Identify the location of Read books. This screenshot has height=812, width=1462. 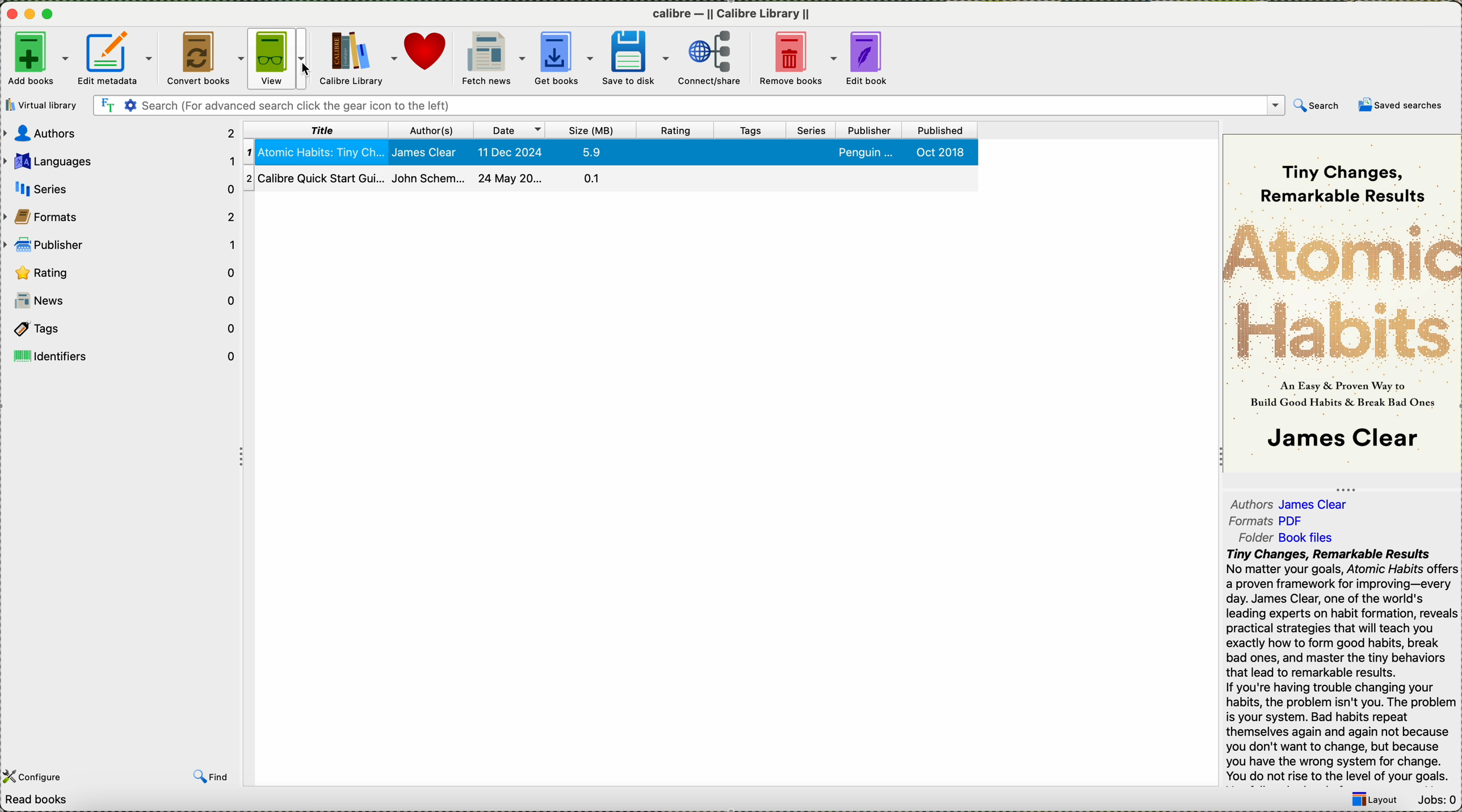
(137, 802).